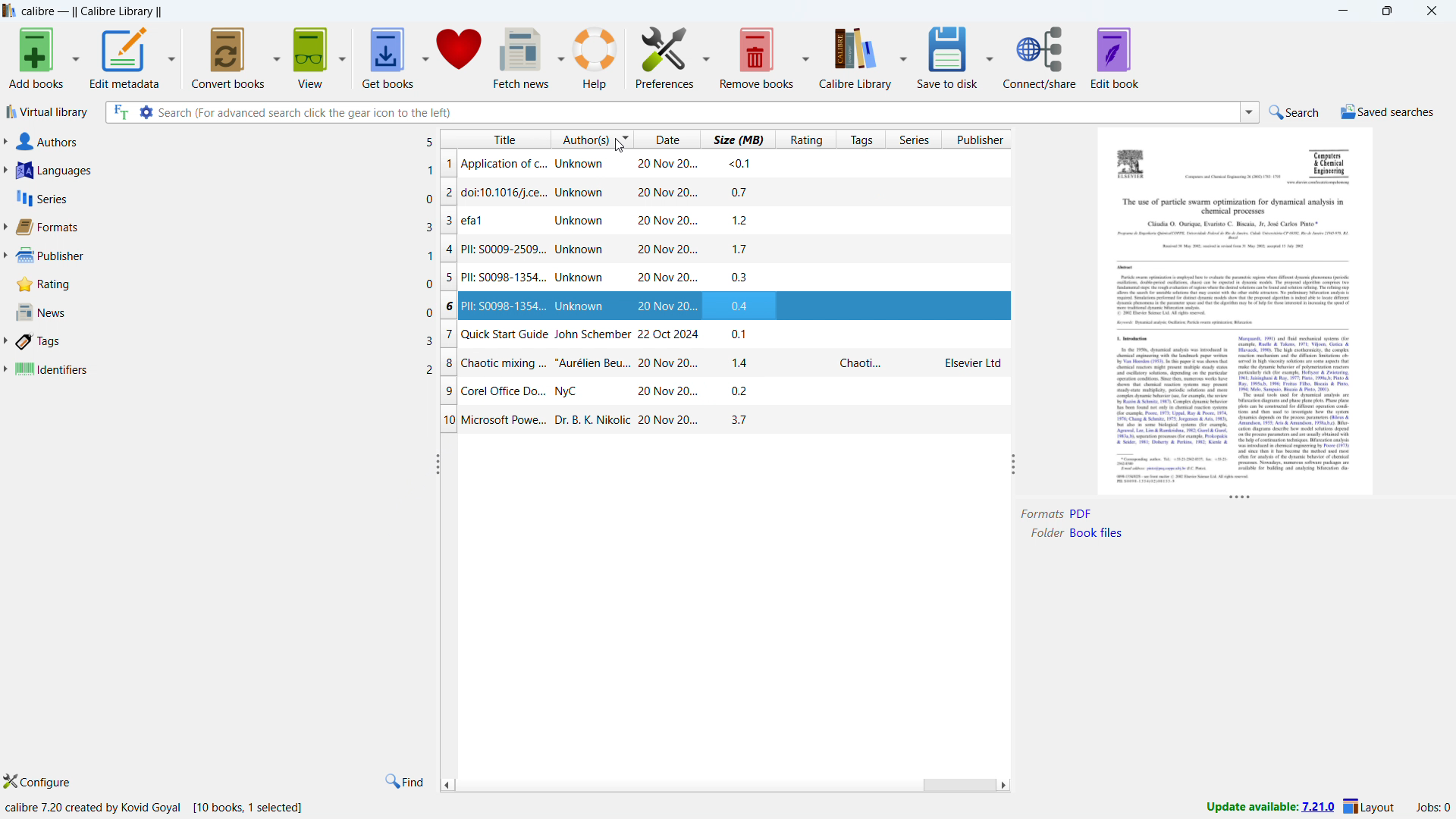  Describe the element at coordinates (278, 58) in the screenshot. I see `convert books options` at that location.